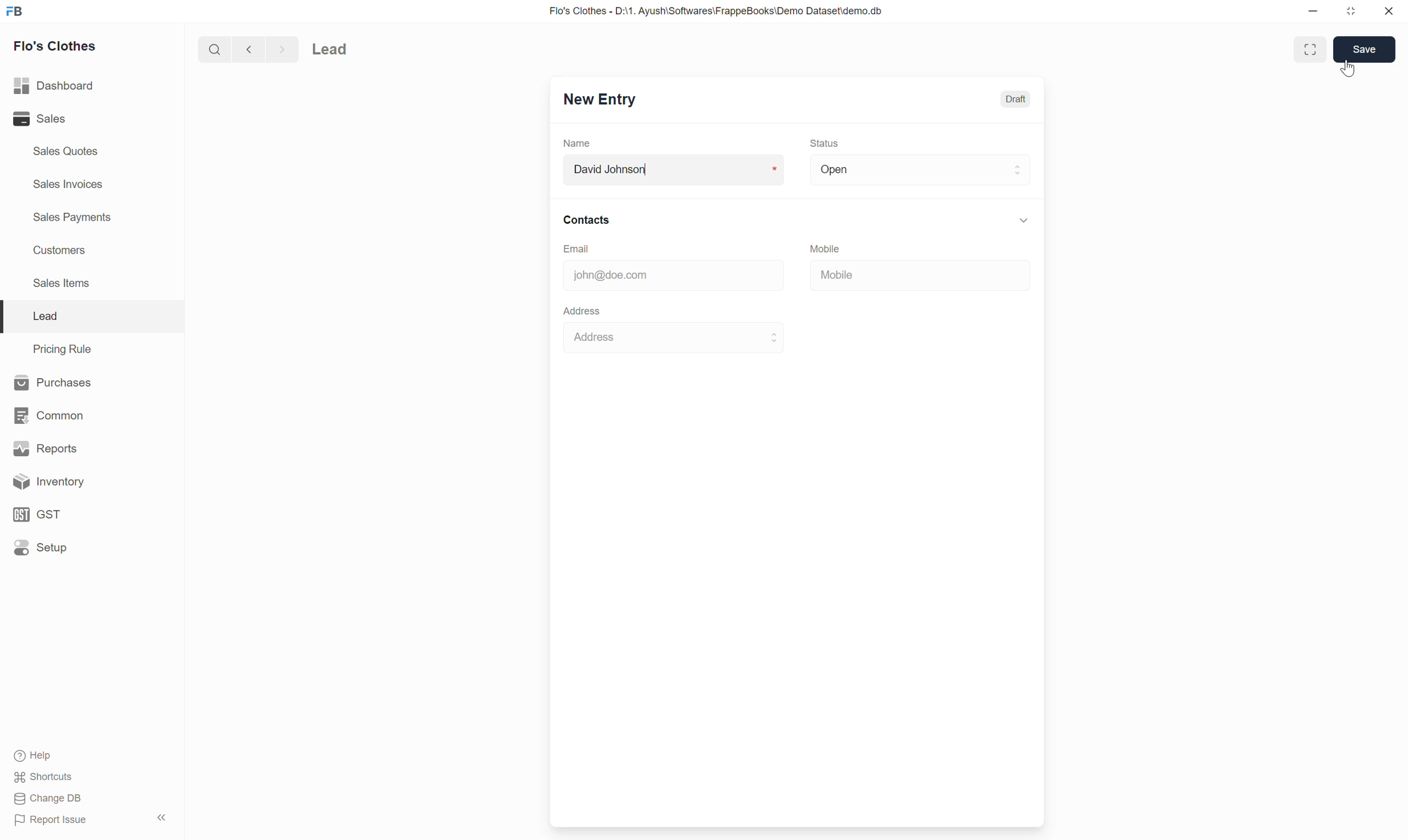 This screenshot has width=1408, height=840. I want to click on Sales Quotes, so click(68, 153).